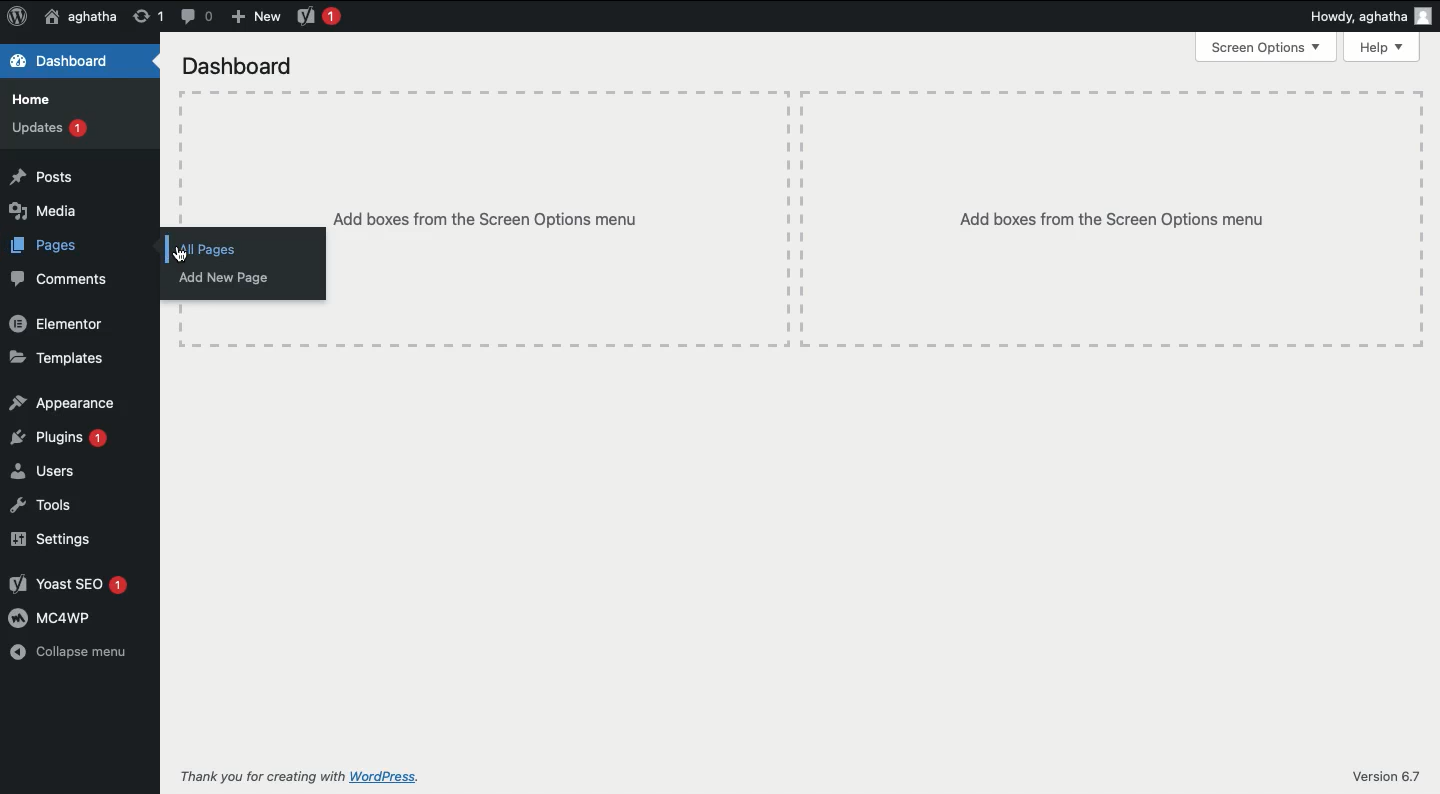 The width and height of the screenshot is (1440, 794). Describe the element at coordinates (1385, 47) in the screenshot. I see `Help` at that location.